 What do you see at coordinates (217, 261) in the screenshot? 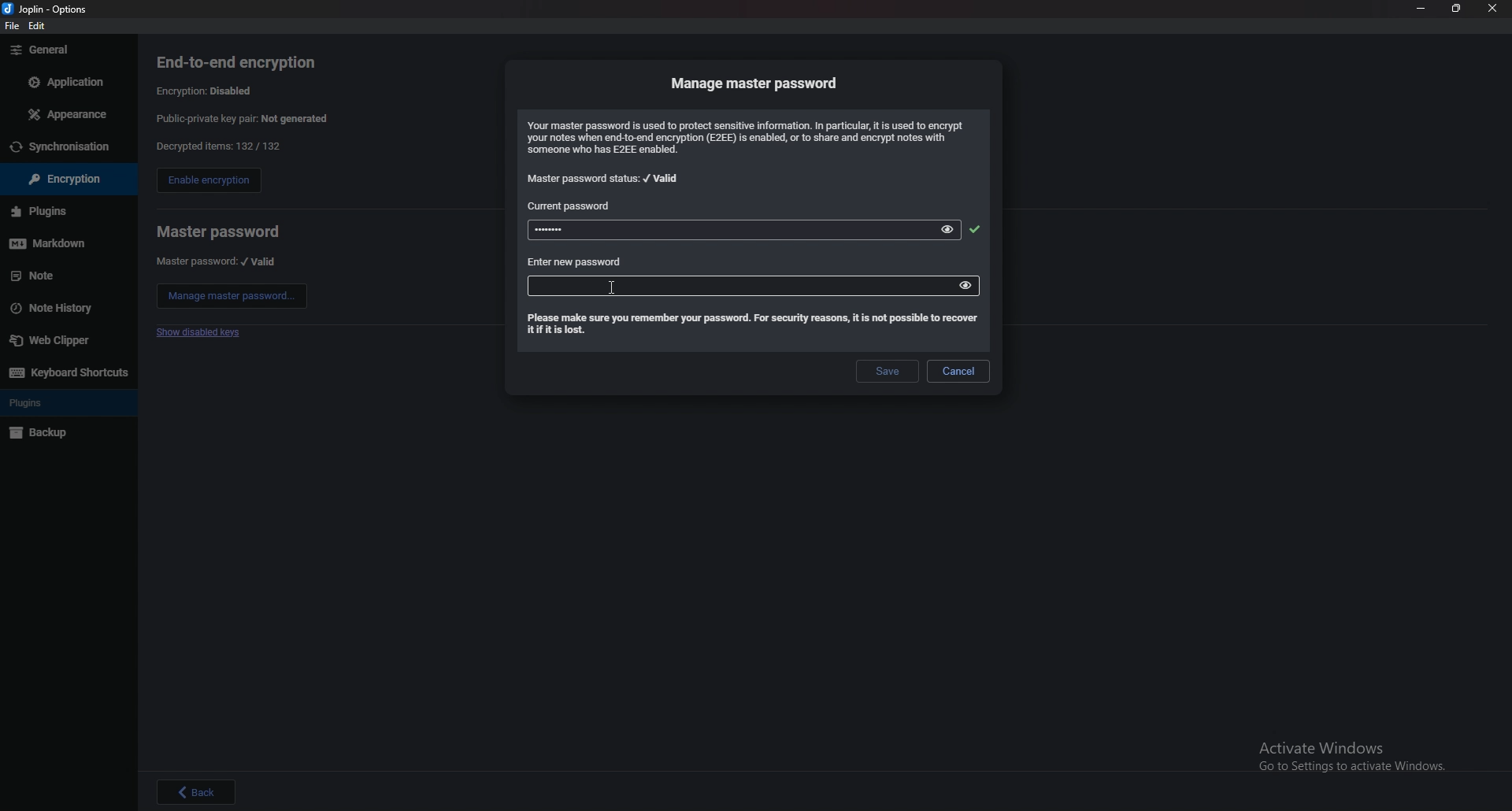
I see `master password` at bounding box center [217, 261].